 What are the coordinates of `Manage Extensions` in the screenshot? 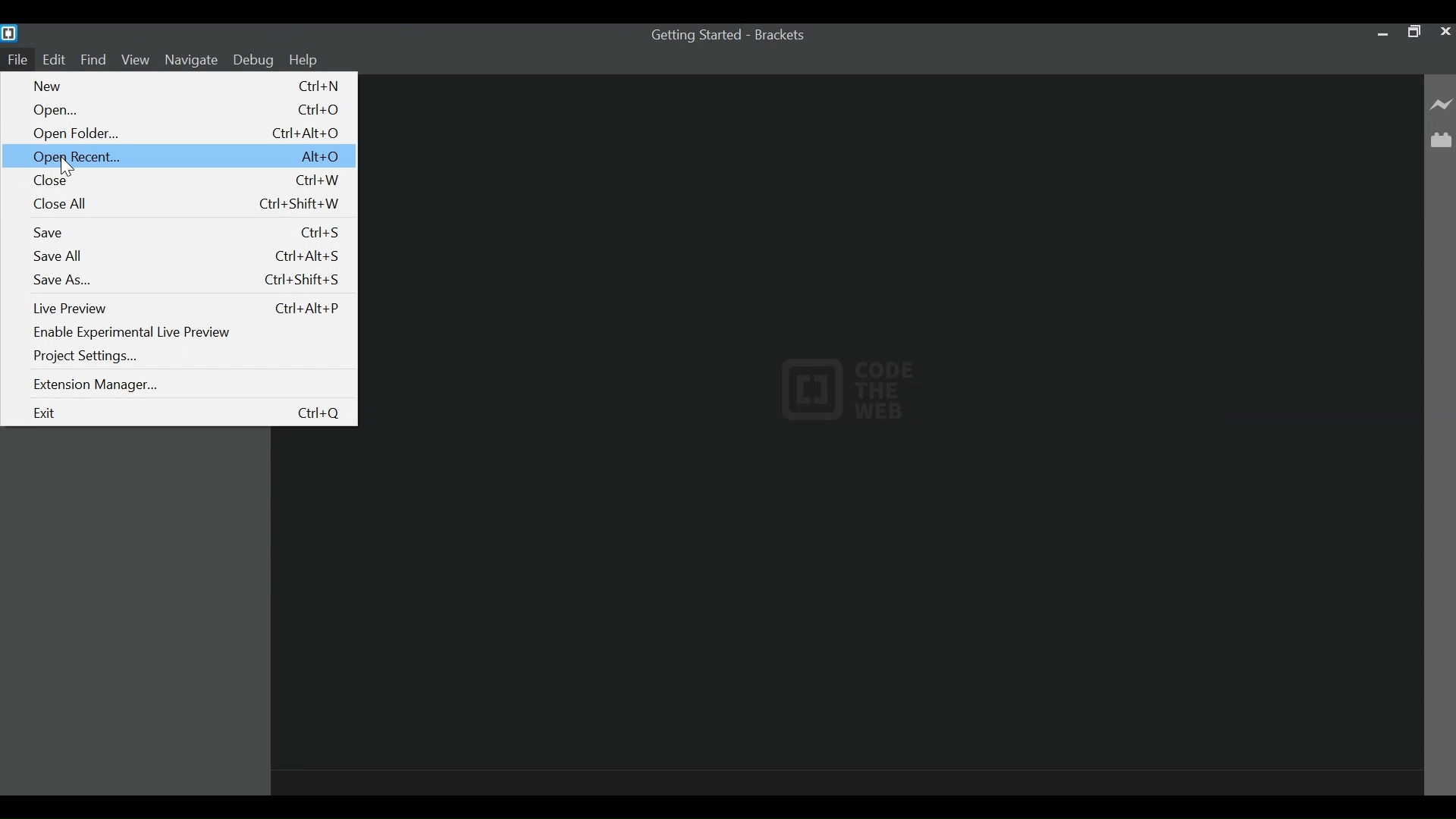 It's located at (1441, 140).